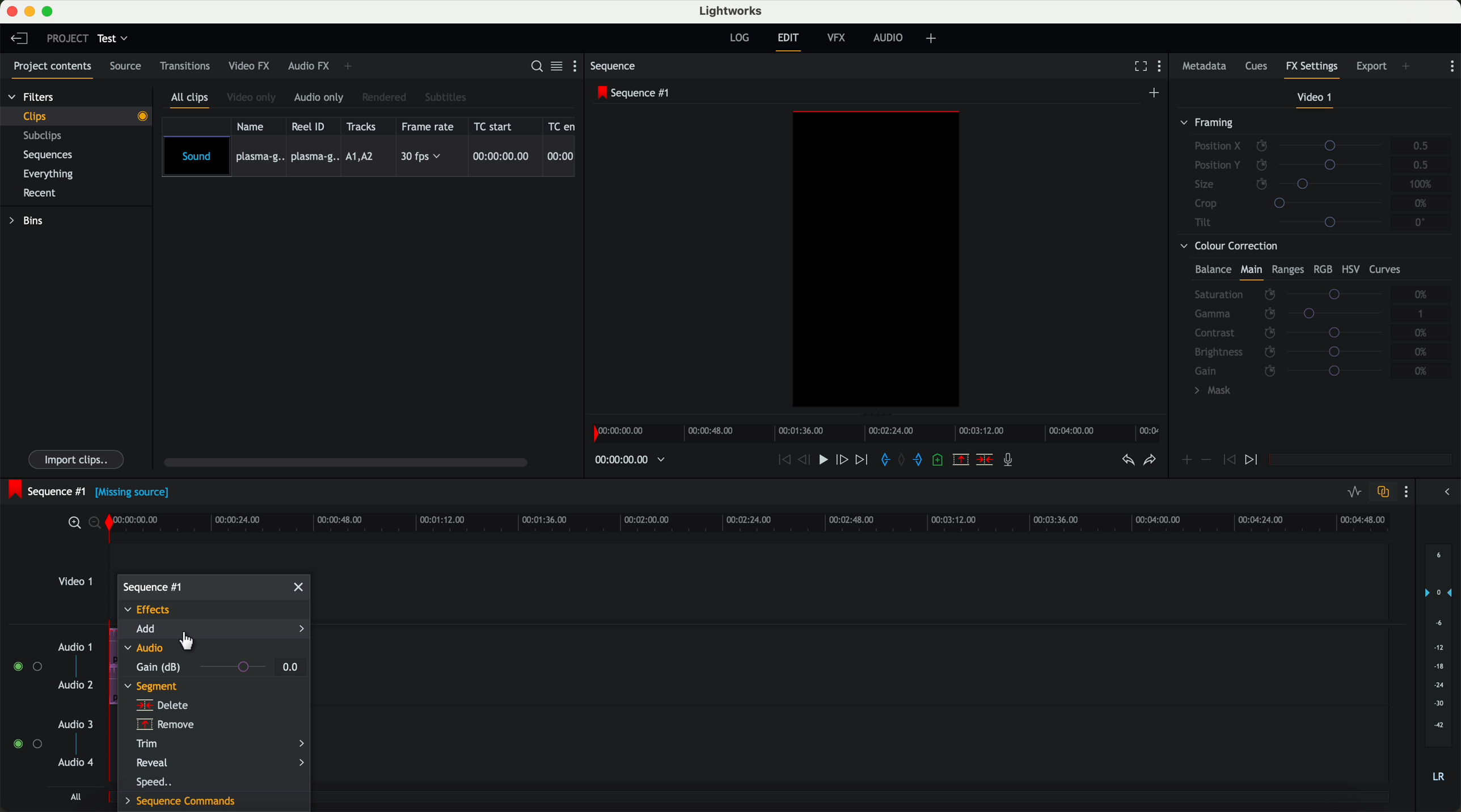 This screenshot has width=1461, height=812. I want to click on project, so click(65, 38).